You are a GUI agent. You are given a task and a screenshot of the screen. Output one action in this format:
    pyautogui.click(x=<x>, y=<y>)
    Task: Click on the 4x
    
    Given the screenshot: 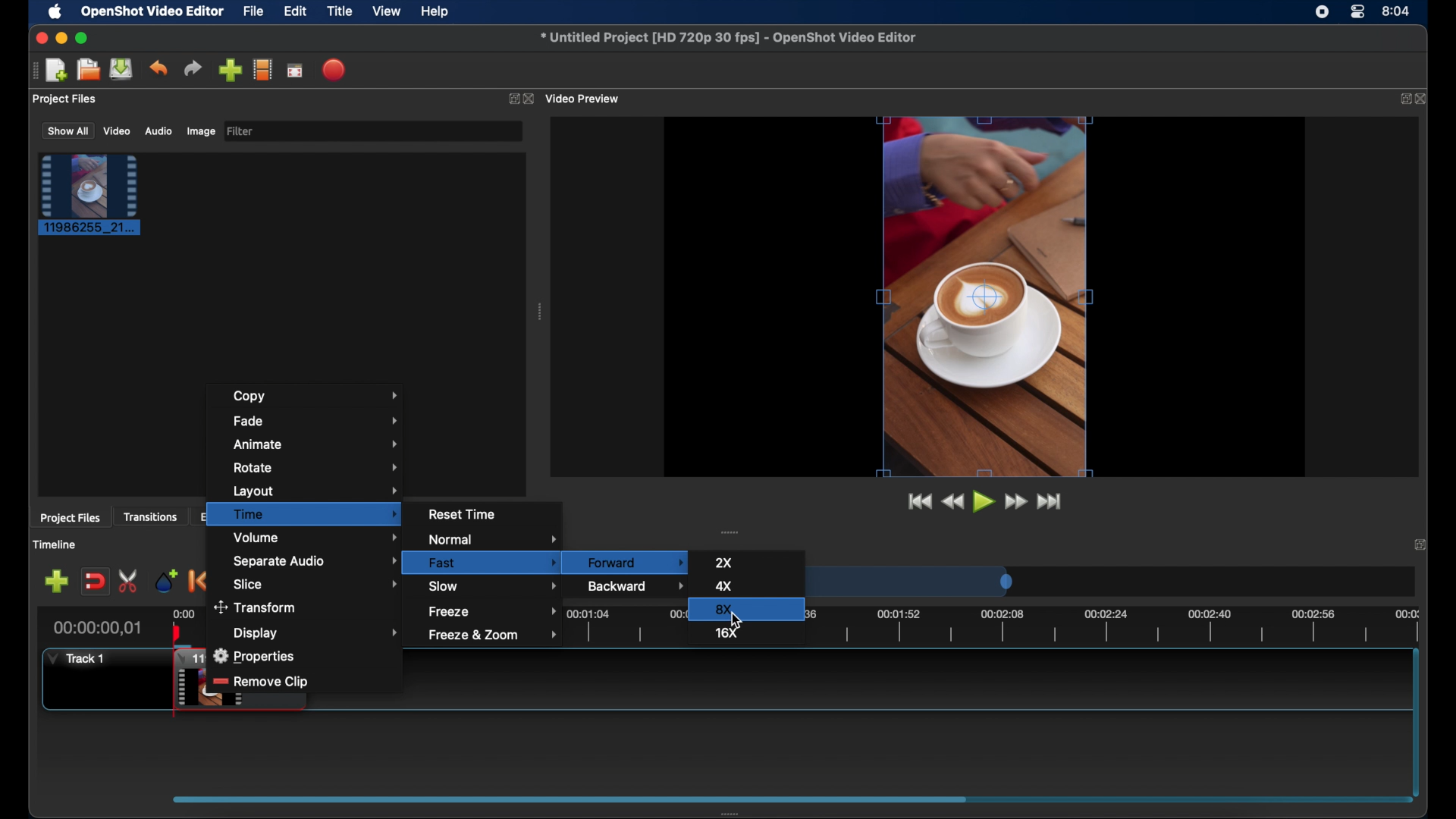 What is the action you would take?
    pyautogui.click(x=723, y=585)
    